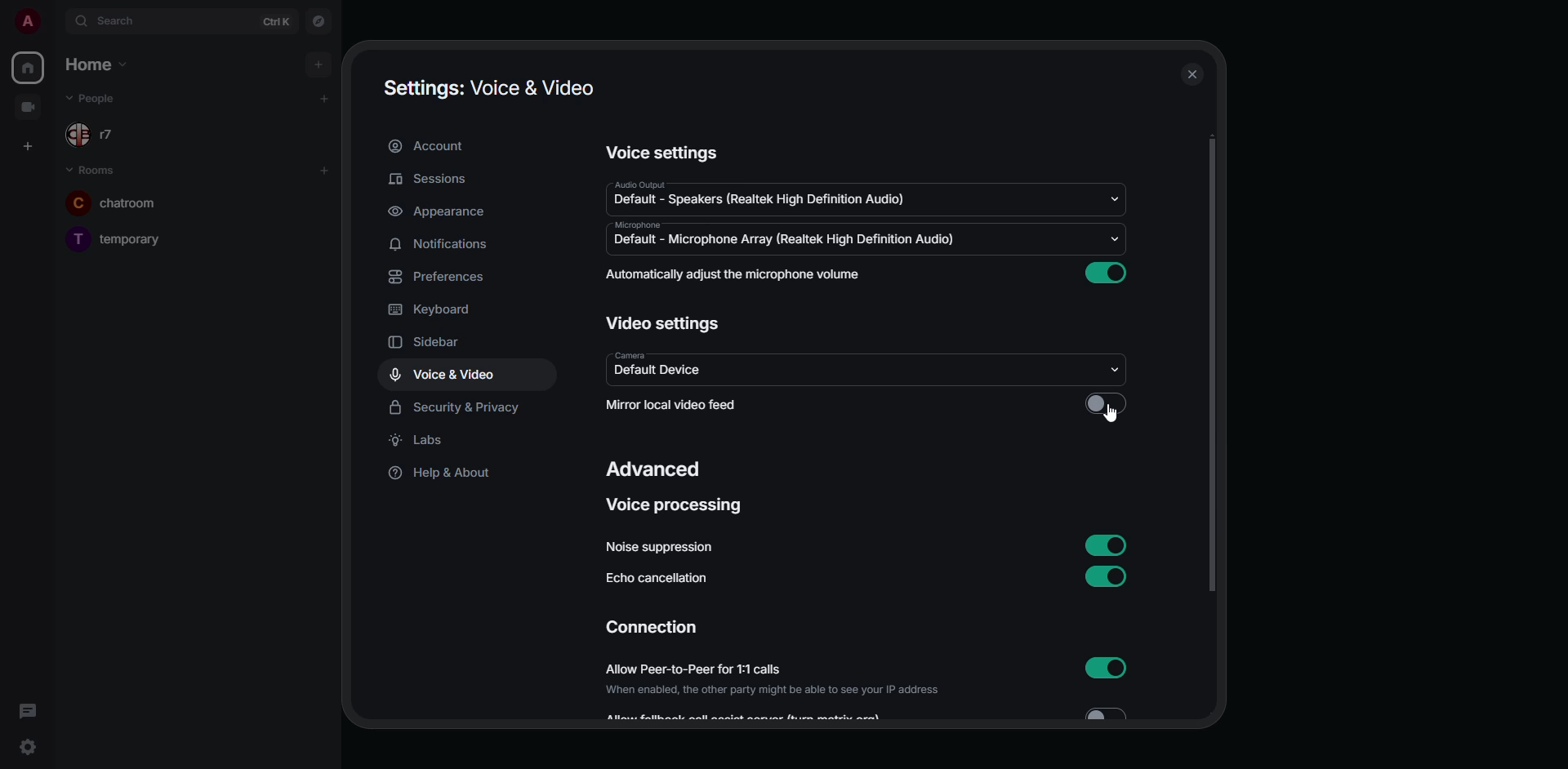 Image resolution: width=1568 pixels, height=769 pixels. I want to click on rooms, so click(91, 167).